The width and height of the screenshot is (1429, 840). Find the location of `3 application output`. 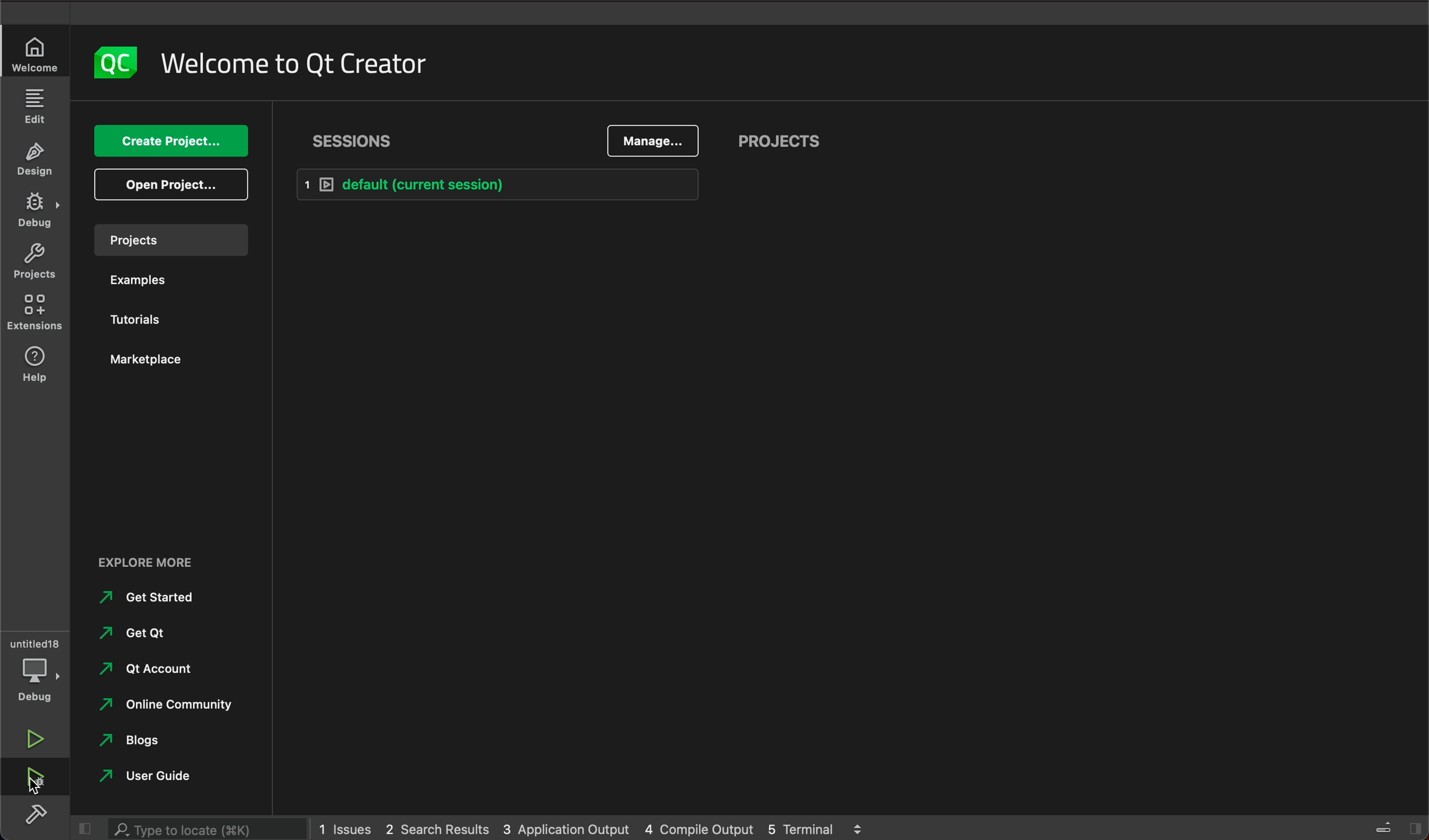

3 application output is located at coordinates (568, 826).